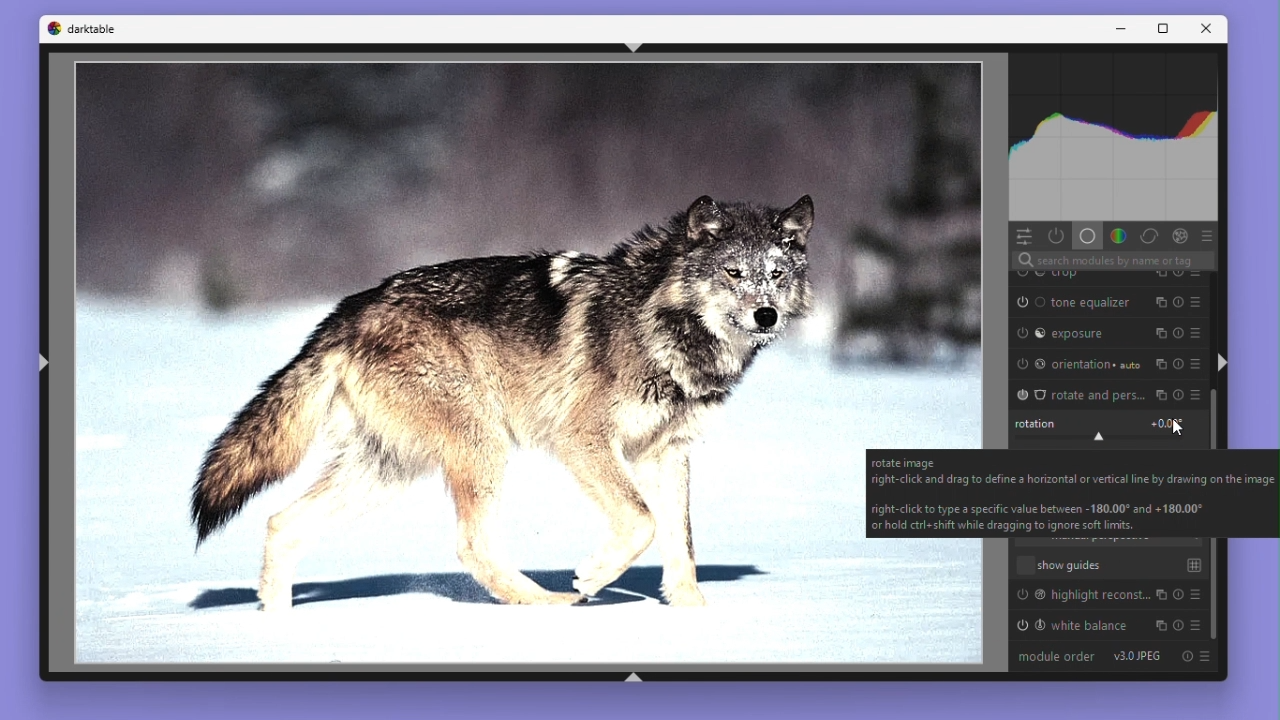 This screenshot has height=720, width=1280. I want to click on Close, so click(1210, 29).